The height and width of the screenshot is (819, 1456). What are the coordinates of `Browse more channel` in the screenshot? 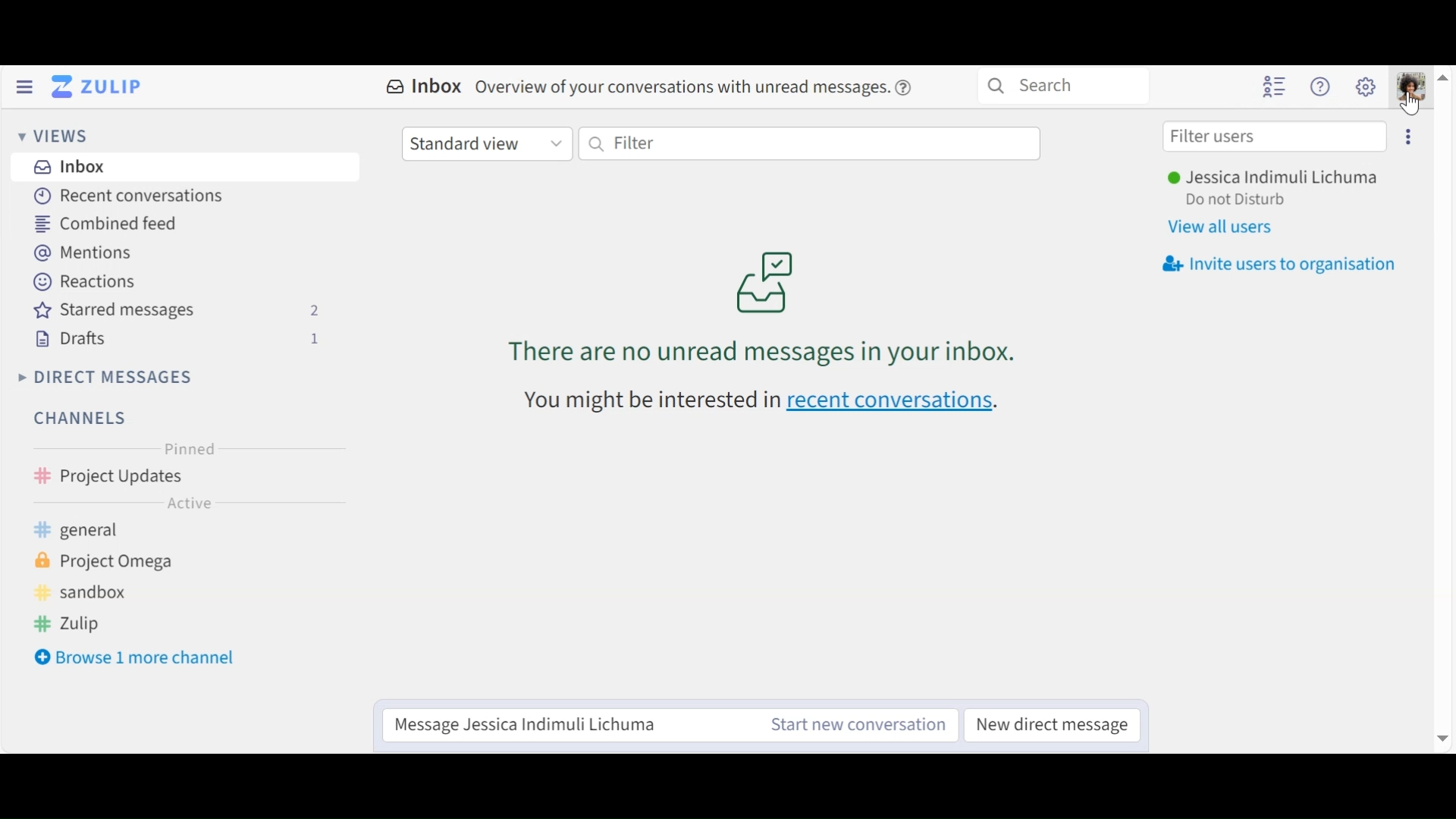 It's located at (136, 657).